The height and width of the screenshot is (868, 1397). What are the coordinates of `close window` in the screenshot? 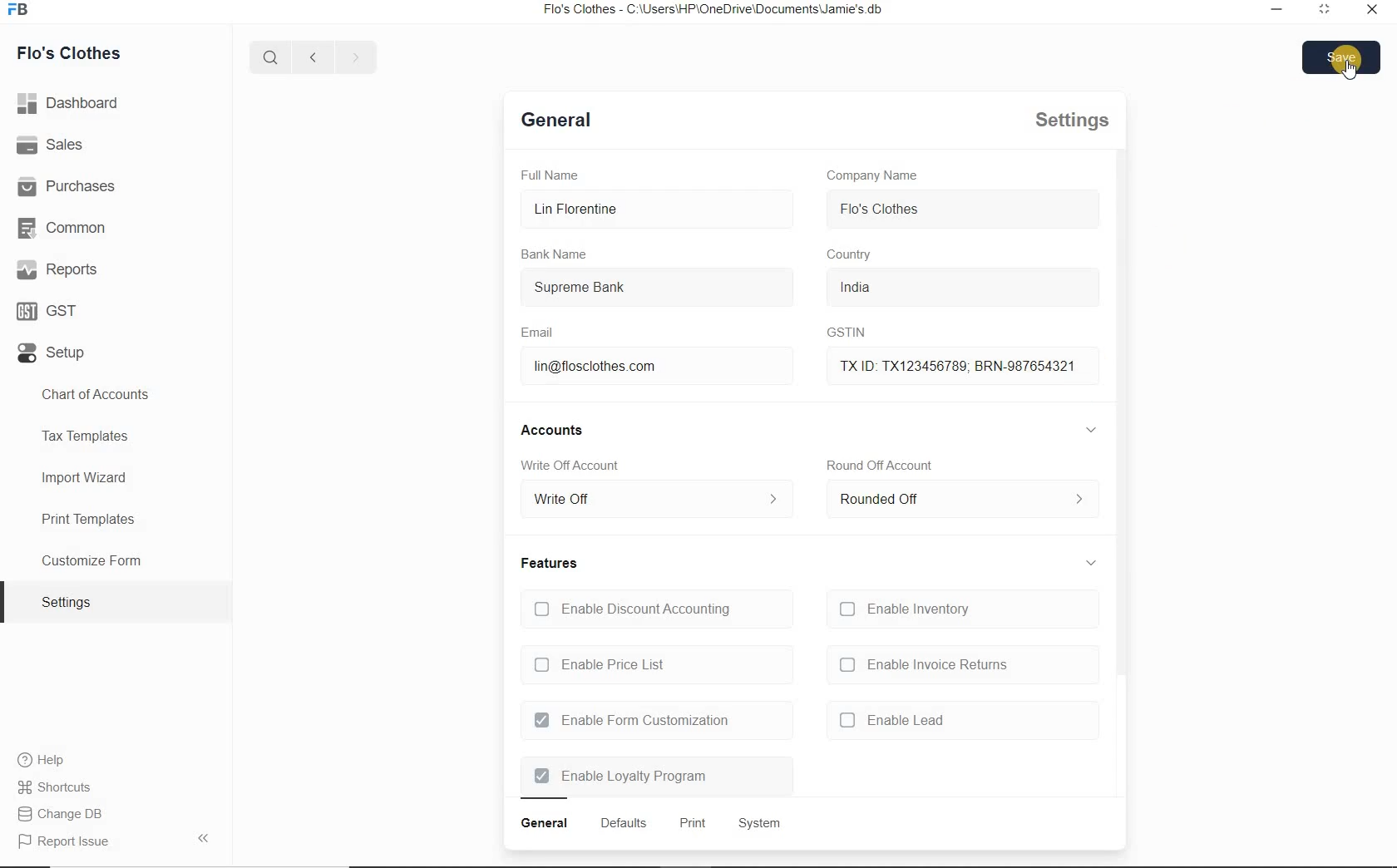 It's located at (1370, 10).